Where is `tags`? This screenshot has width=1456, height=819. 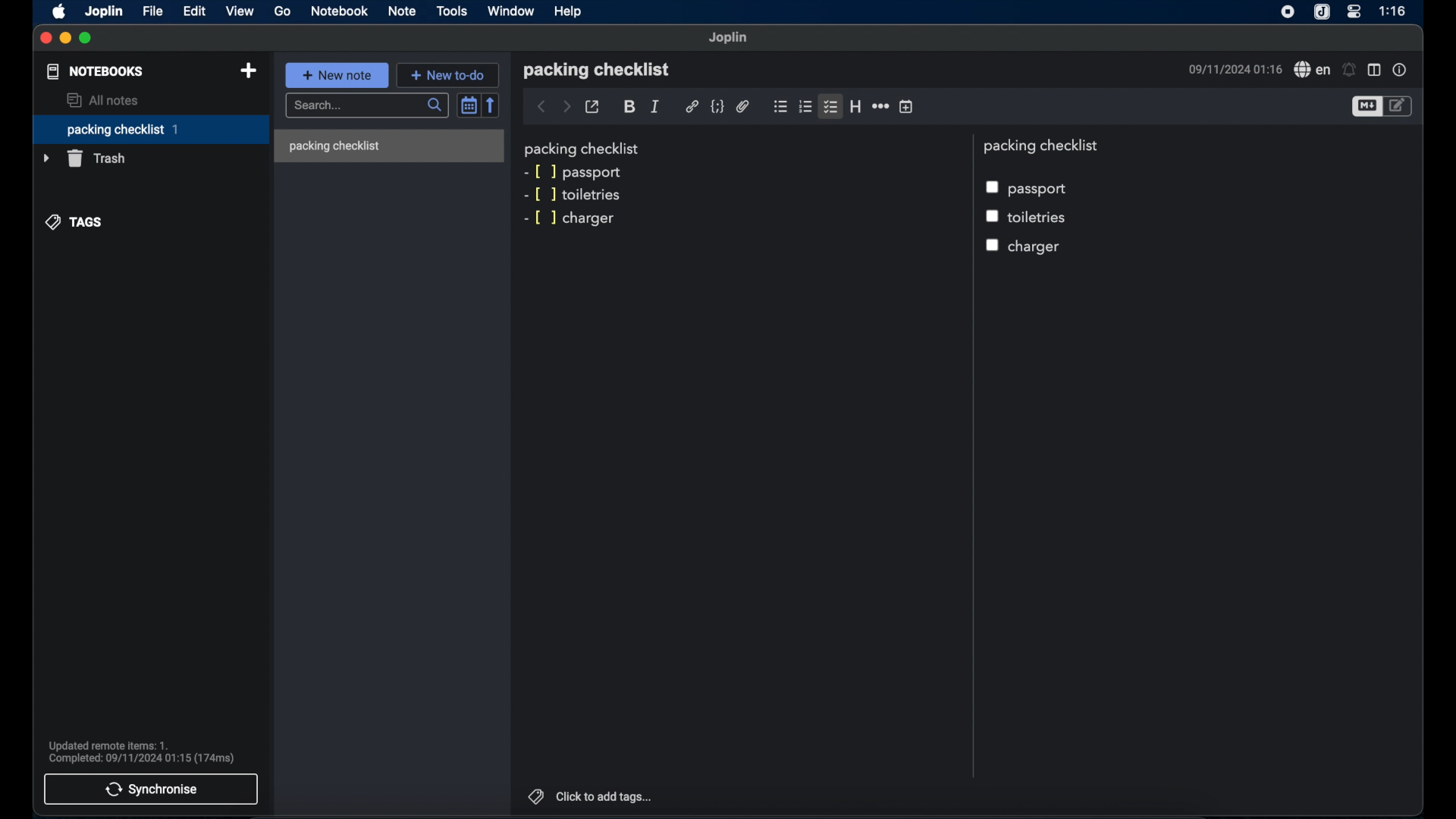 tags is located at coordinates (74, 223).